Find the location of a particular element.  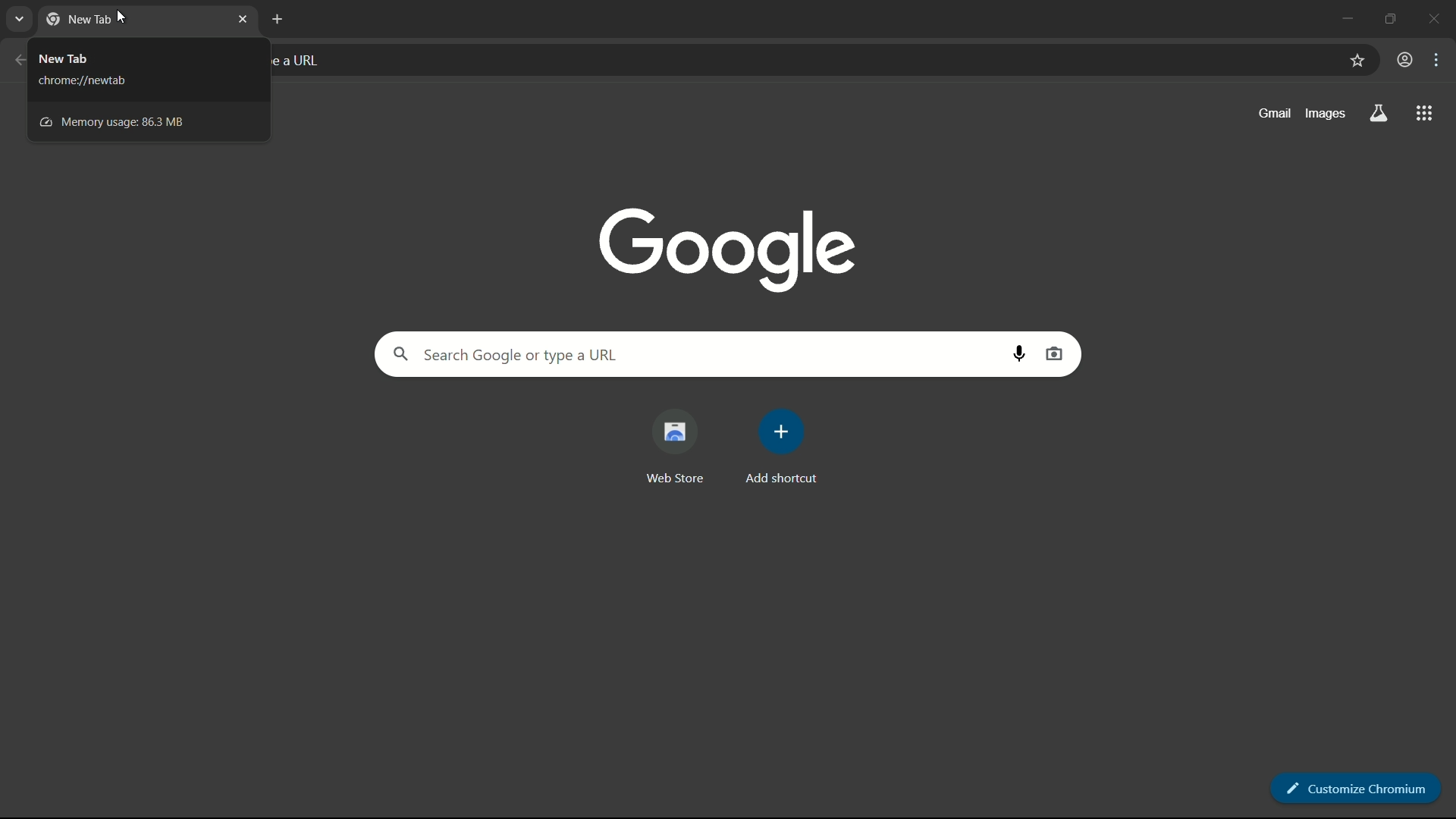

go back is located at coordinates (20, 59).